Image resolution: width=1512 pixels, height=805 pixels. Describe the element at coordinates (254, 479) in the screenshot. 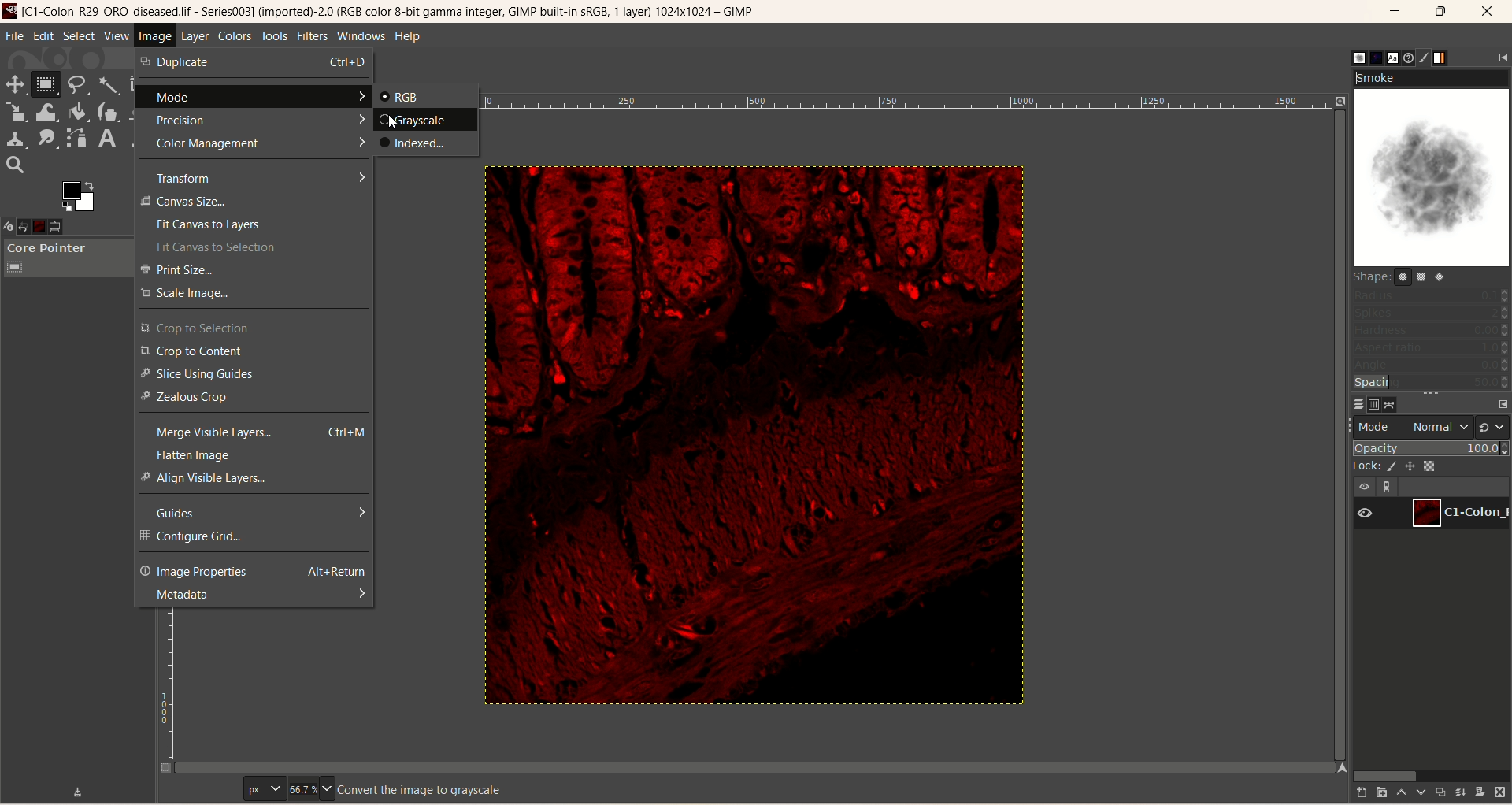

I see `align visible layers` at that location.